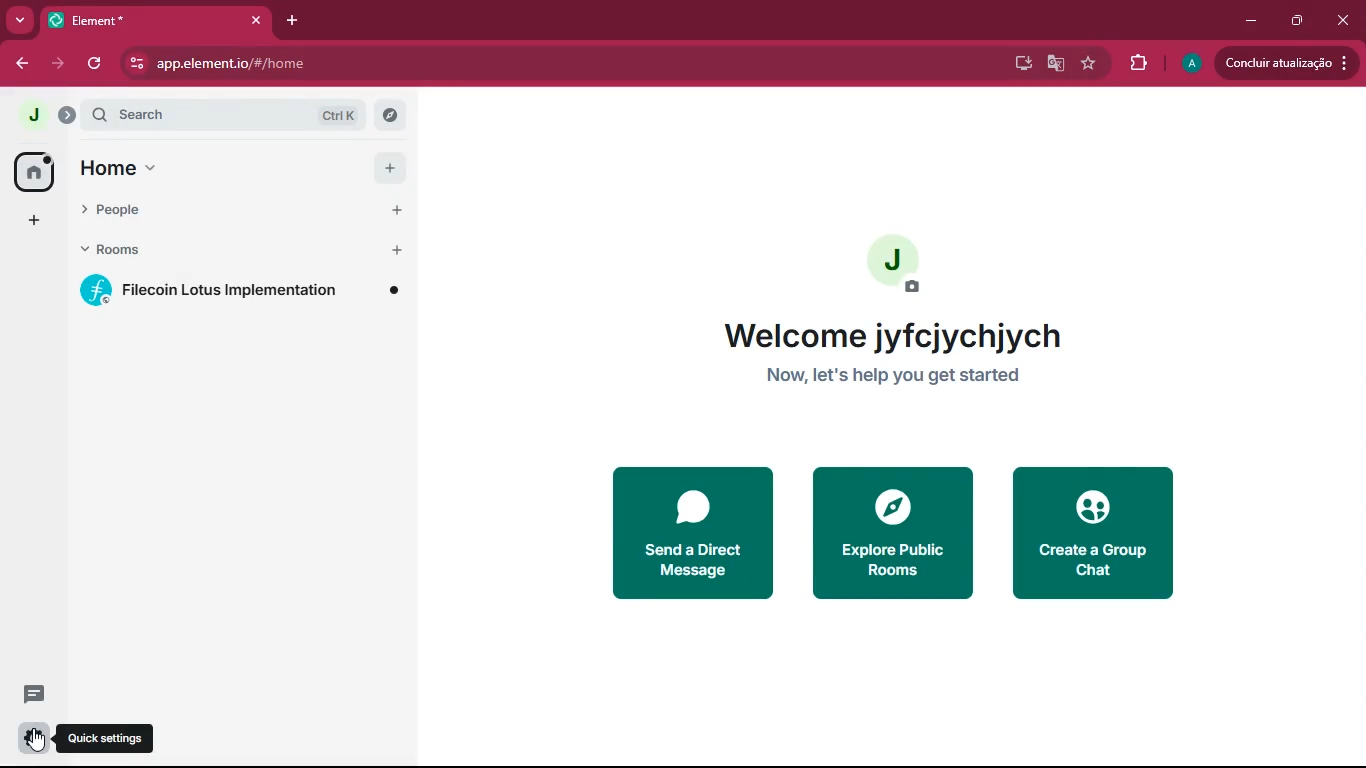 The width and height of the screenshot is (1366, 768). Describe the element at coordinates (1191, 65) in the screenshot. I see `profile` at that location.